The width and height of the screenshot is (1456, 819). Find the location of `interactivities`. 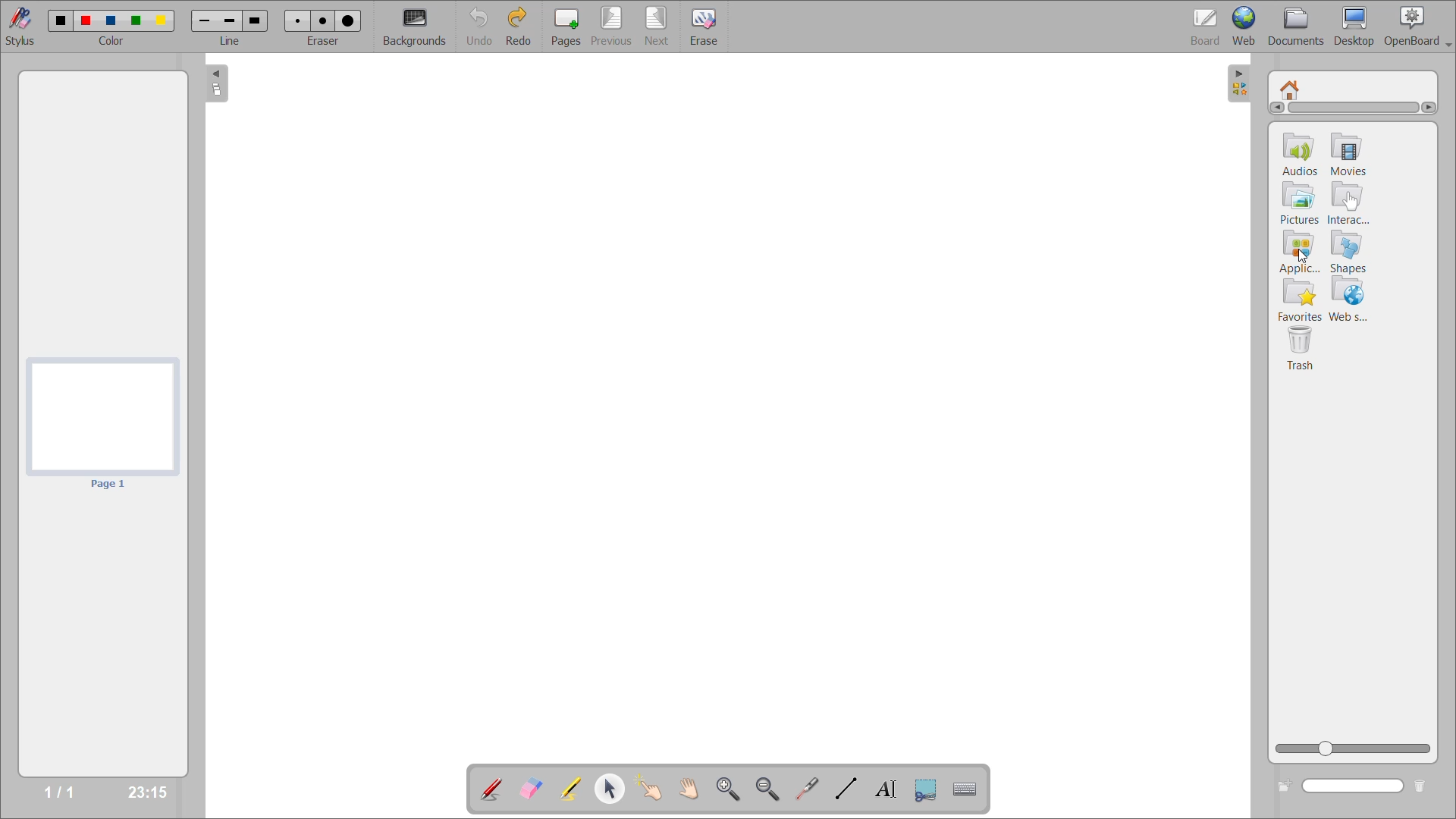

interactivities is located at coordinates (1350, 202).